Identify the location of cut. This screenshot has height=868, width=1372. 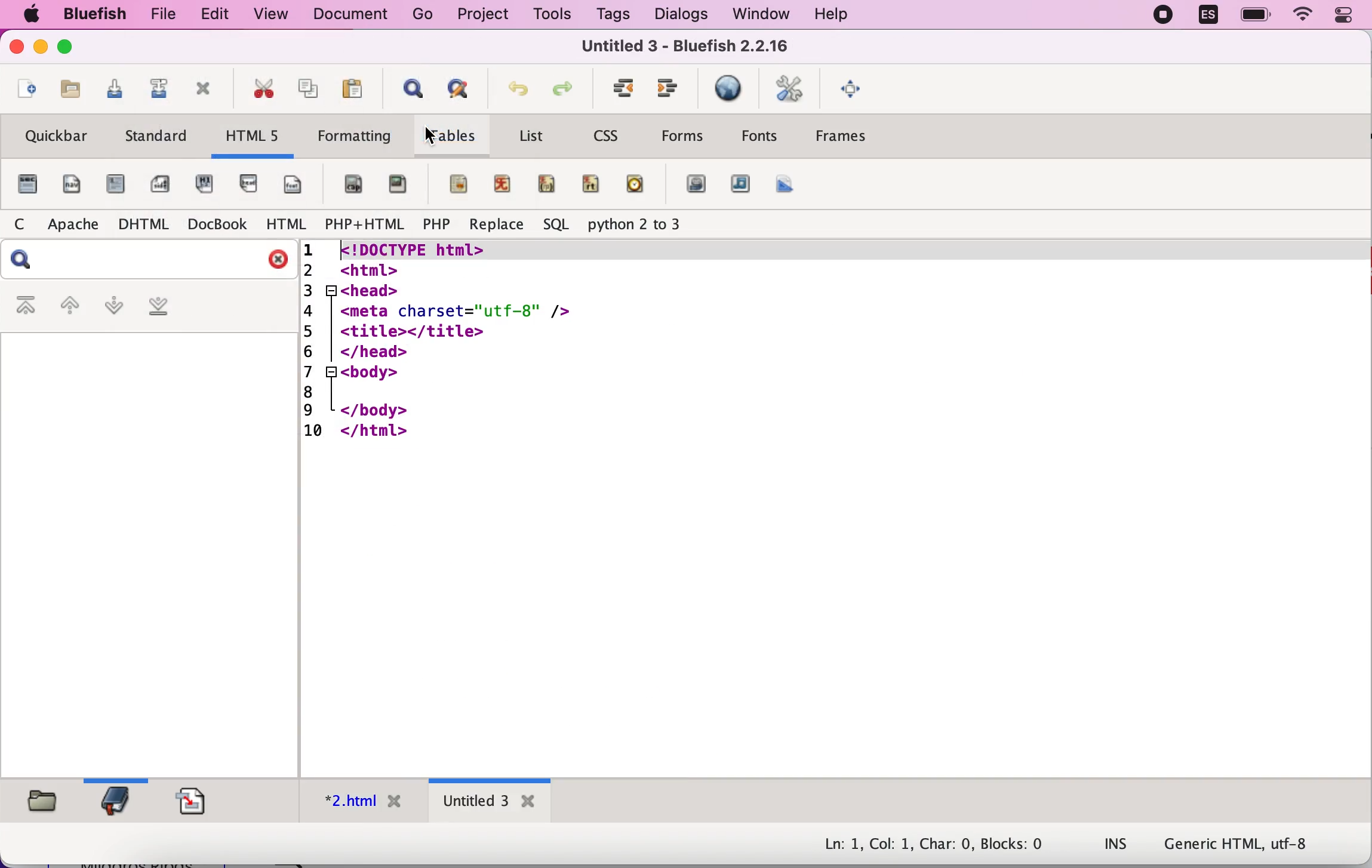
(257, 90).